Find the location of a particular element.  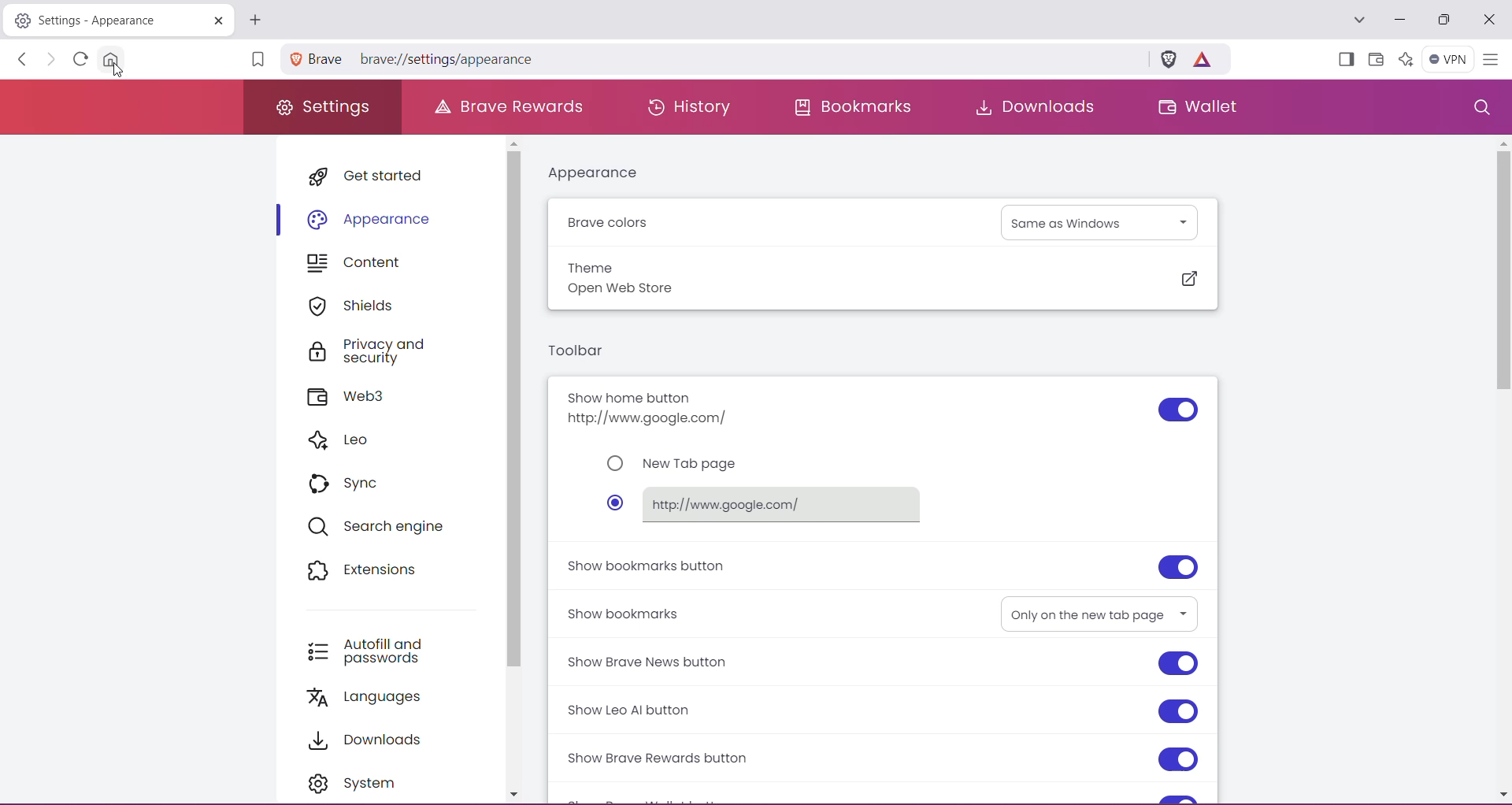

Search Settings is located at coordinates (1480, 108).